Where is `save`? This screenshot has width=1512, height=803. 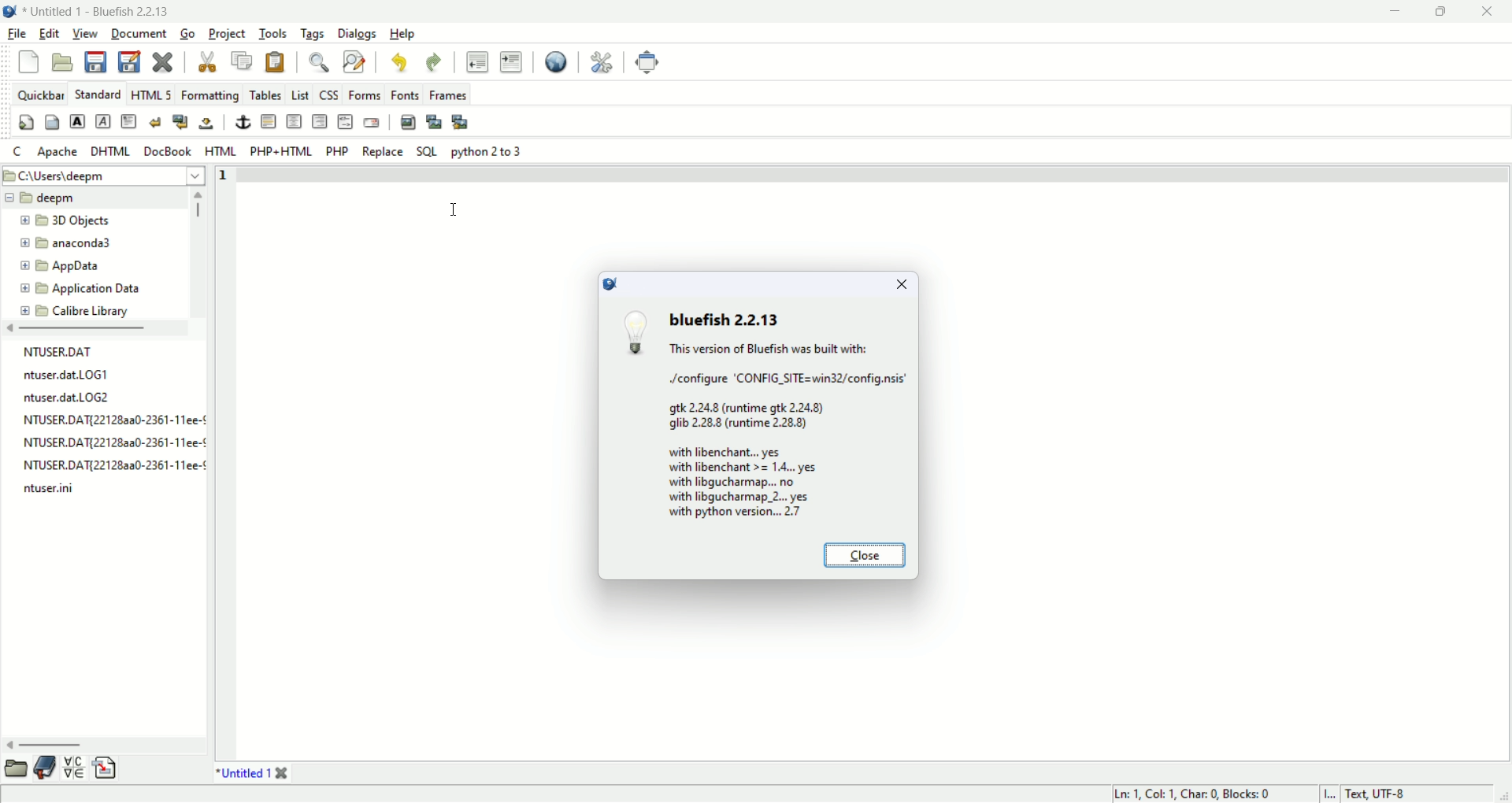
save is located at coordinates (98, 61).